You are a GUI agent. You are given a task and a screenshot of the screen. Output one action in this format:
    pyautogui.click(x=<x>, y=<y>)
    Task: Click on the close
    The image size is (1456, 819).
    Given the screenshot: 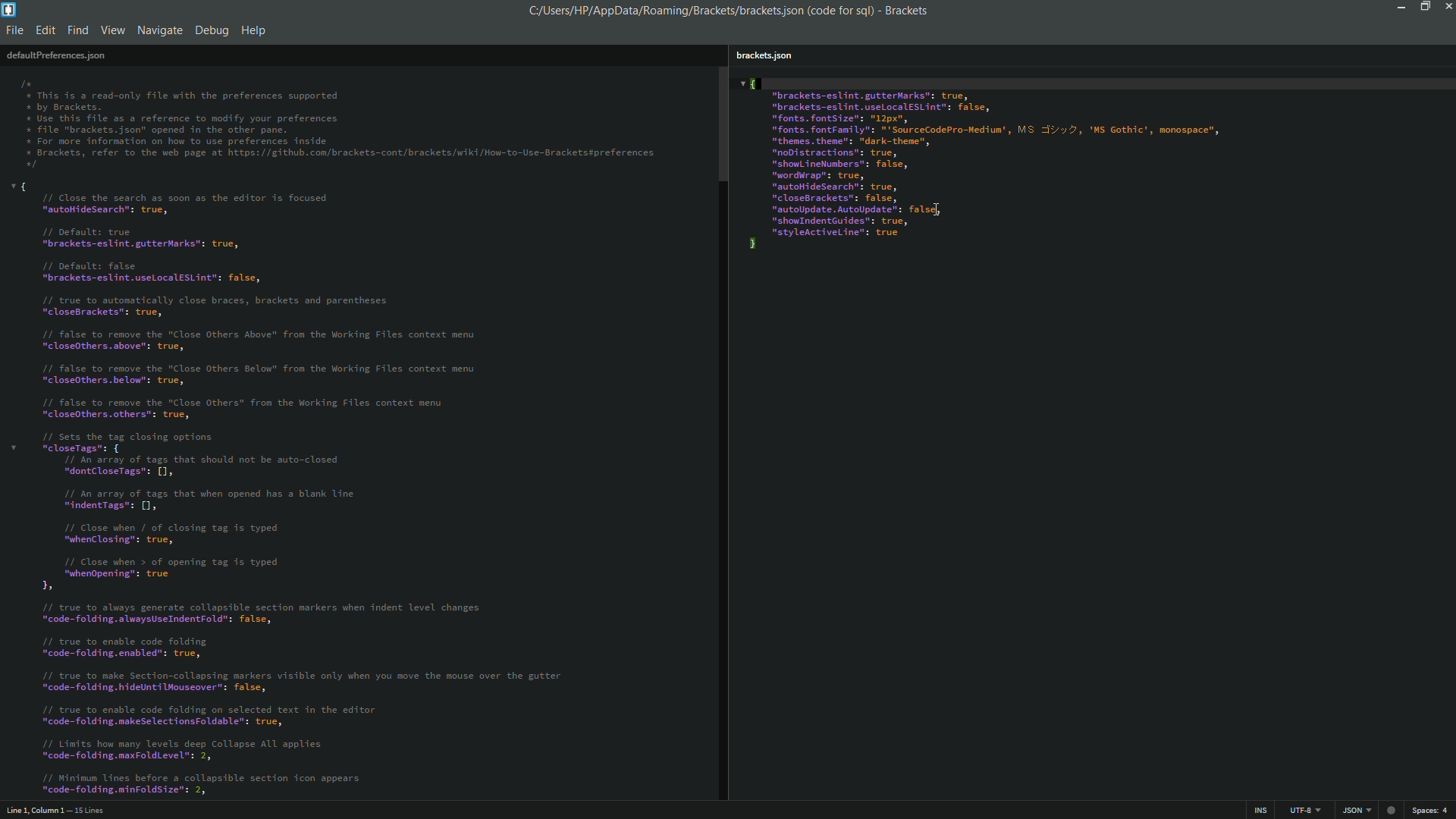 What is the action you would take?
    pyautogui.click(x=1446, y=9)
    